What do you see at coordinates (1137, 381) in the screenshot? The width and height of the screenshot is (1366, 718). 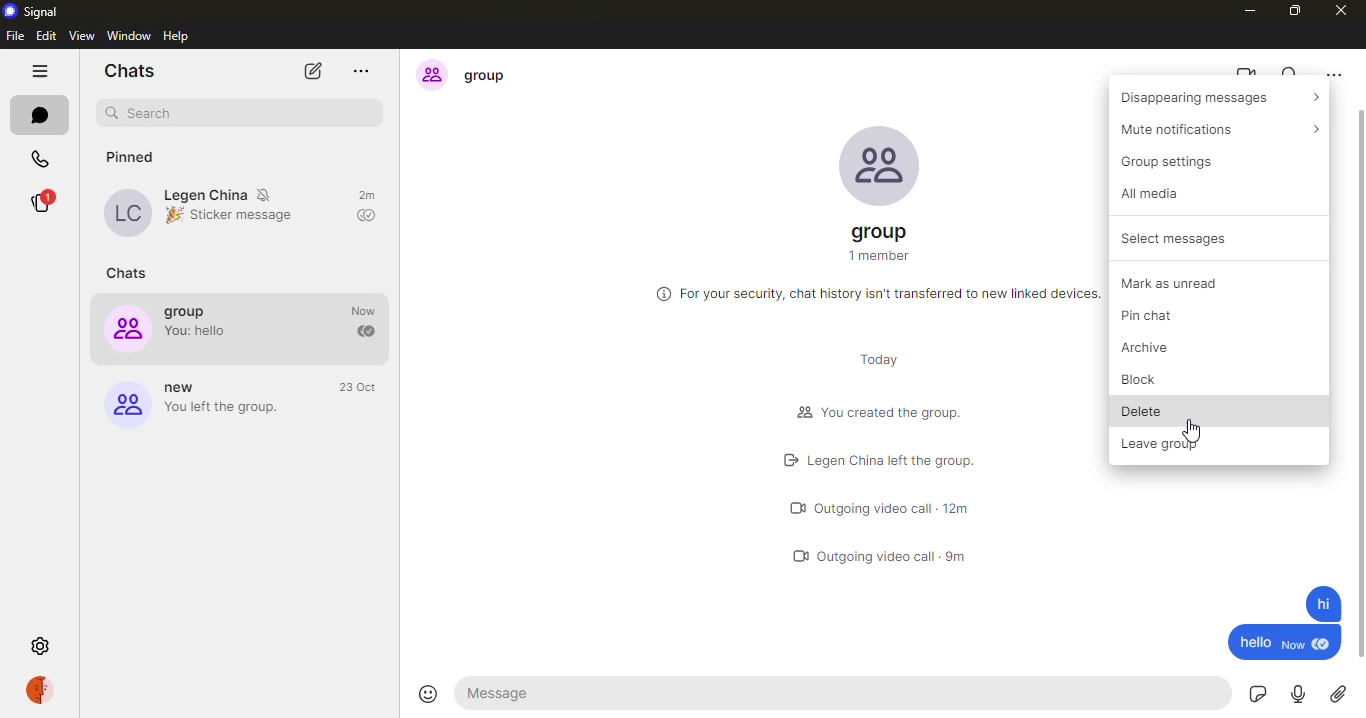 I see `block` at bounding box center [1137, 381].